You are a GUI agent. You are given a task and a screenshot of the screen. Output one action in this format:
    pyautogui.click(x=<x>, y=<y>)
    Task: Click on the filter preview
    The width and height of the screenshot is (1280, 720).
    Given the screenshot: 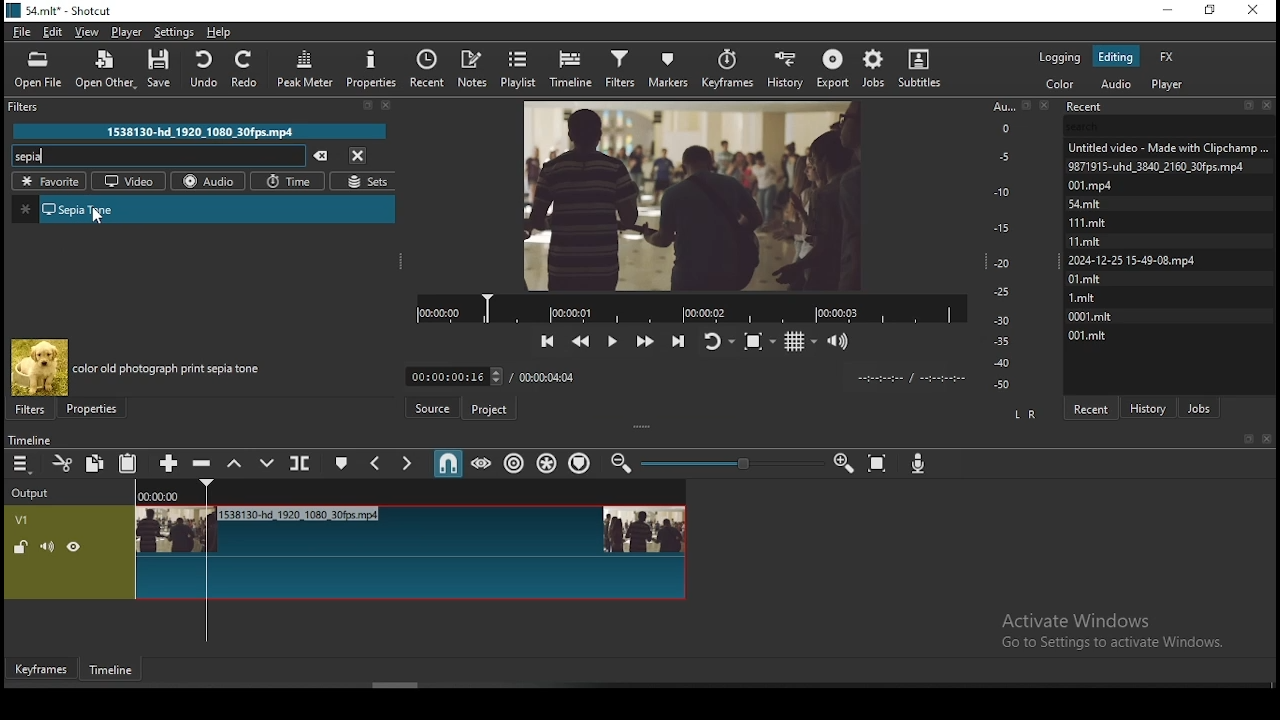 What is the action you would take?
    pyautogui.click(x=38, y=367)
    